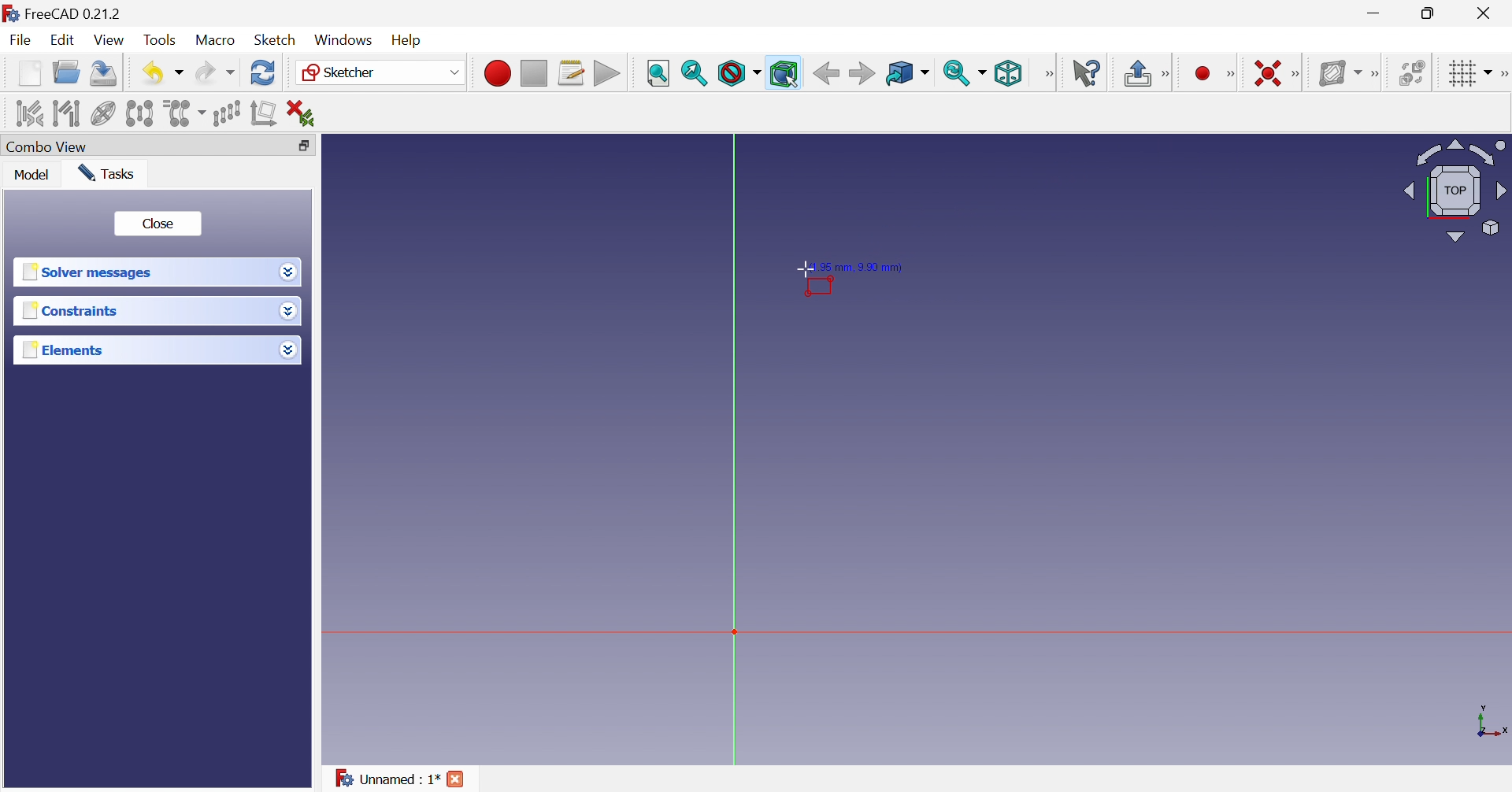 Image resolution: width=1512 pixels, height=792 pixels. What do you see at coordinates (213, 72) in the screenshot?
I see `Redo` at bounding box center [213, 72].